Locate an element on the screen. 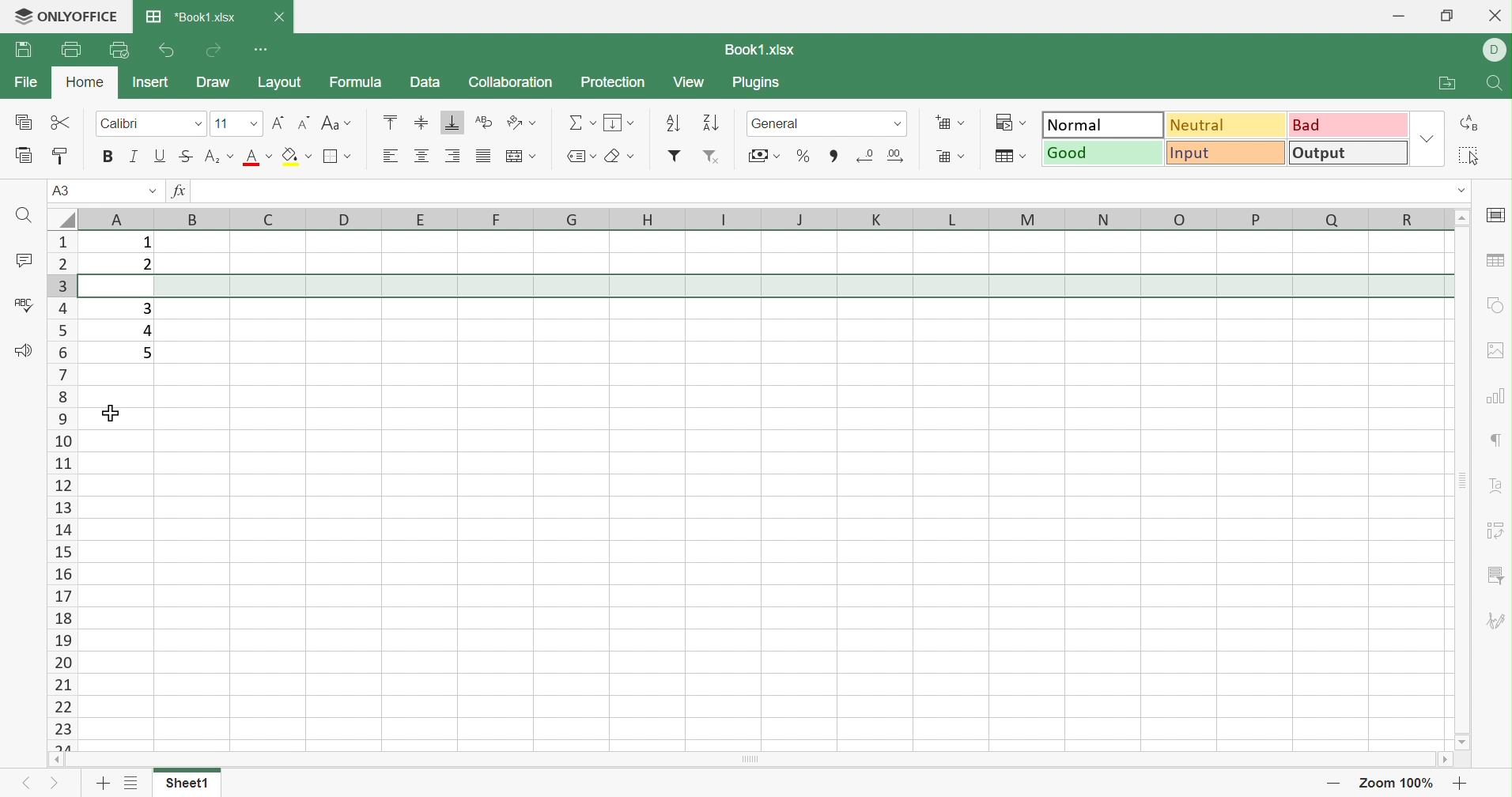 The image size is (1512, 797). Scroll Up is located at coordinates (1462, 217).